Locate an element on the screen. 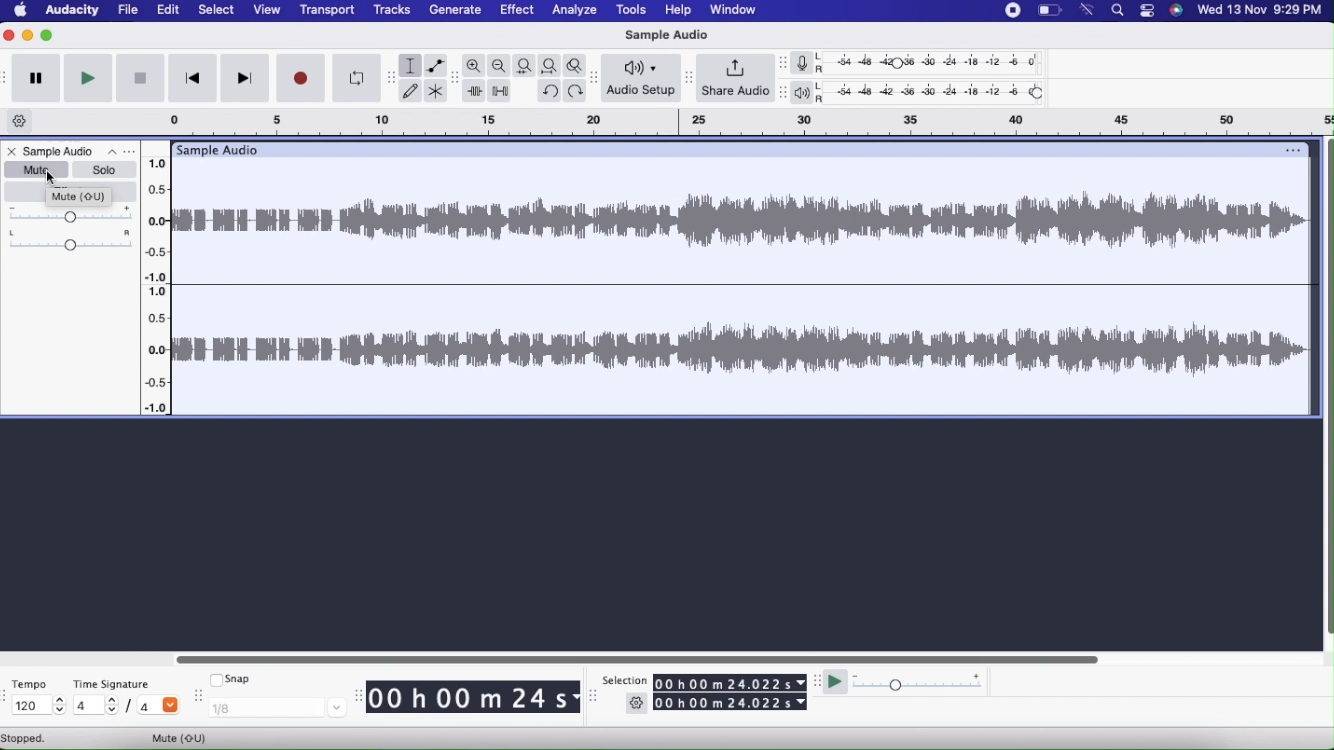 The width and height of the screenshot is (1334, 750). Playback meter is located at coordinates (806, 93).